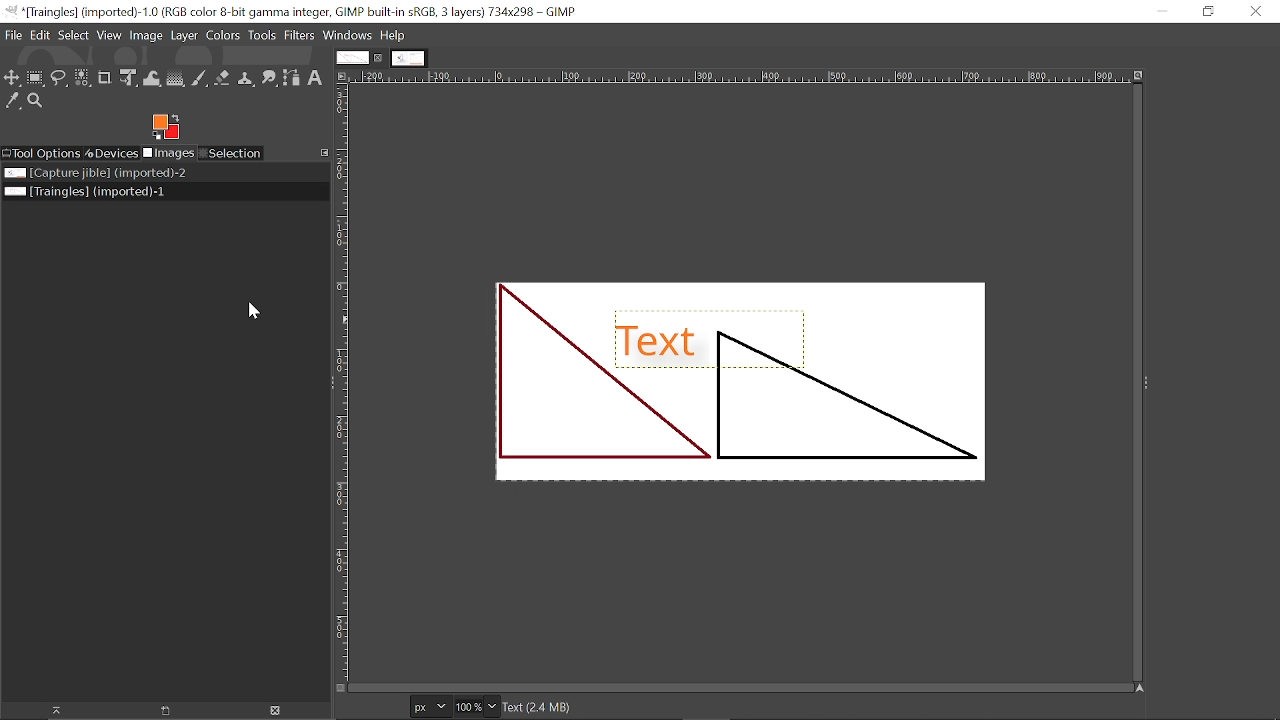 Image resolution: width=1280 pixels, height=720 pixels. Describe the element at coordinates (110, 37) in the screenshot. I see `View` at that location.